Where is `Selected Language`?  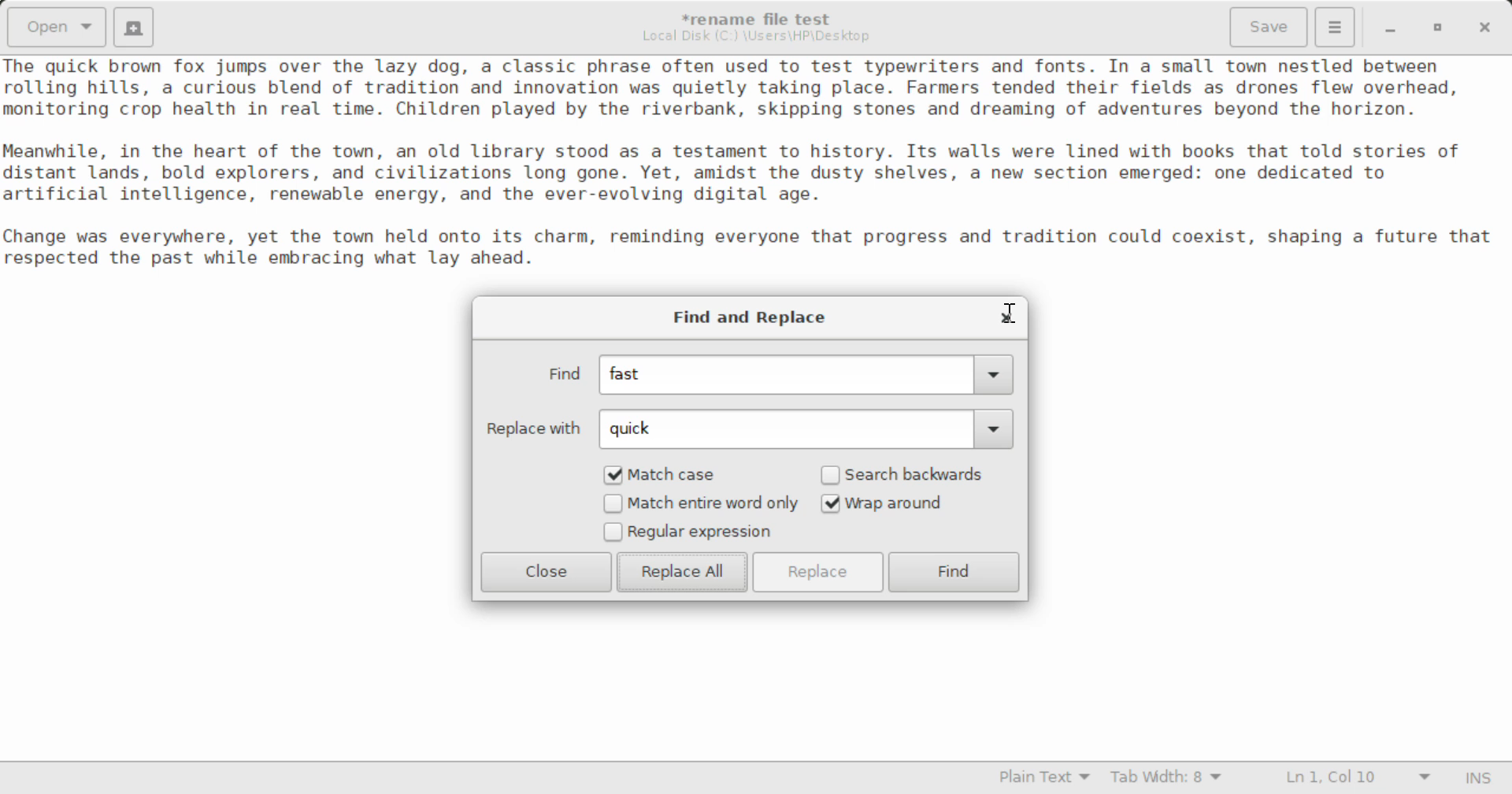
Selected Language is located at coordinates (1036, 779).